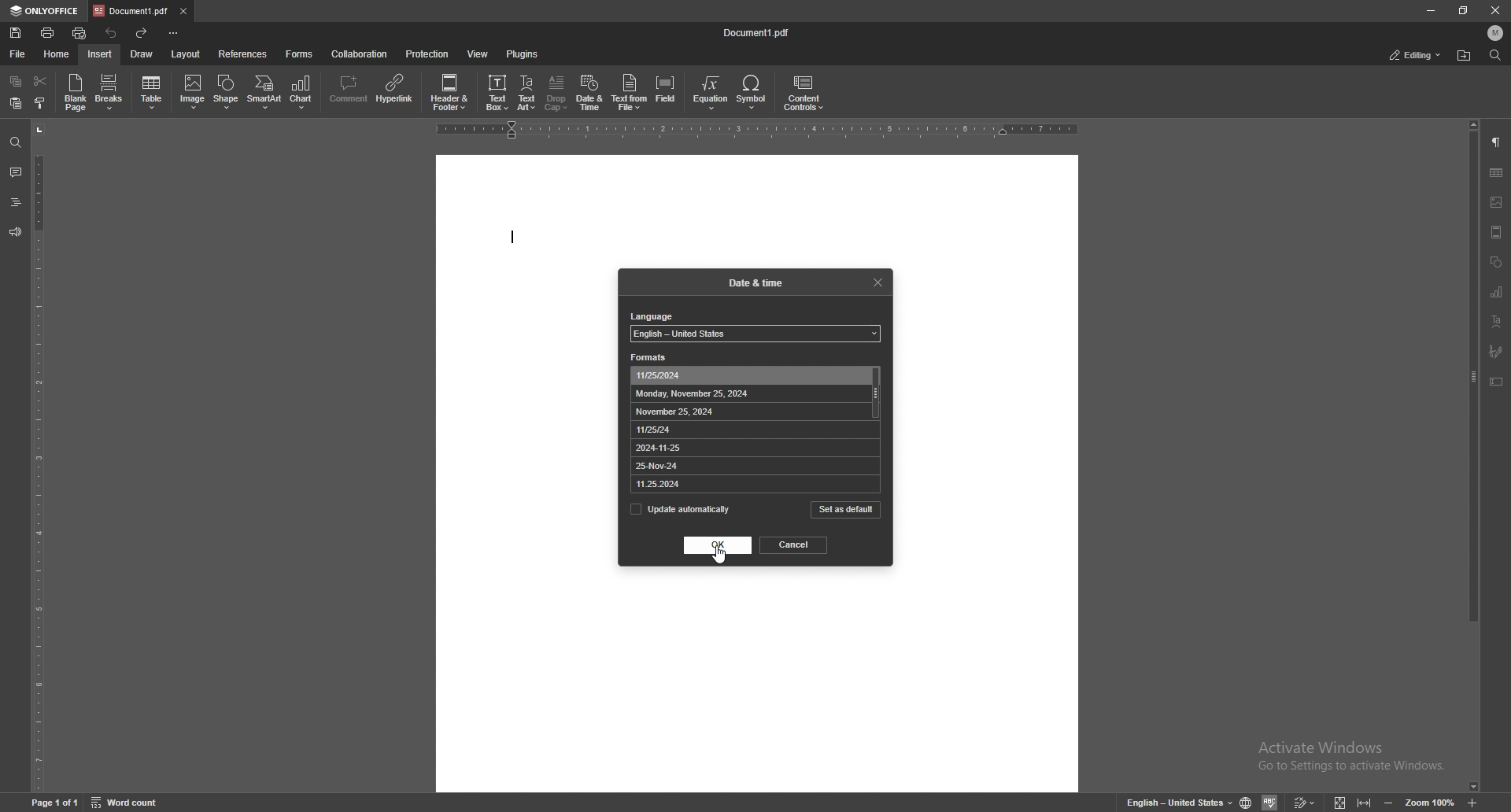 This screenshot has width=1511, height=812. I want to click on update automatically, so click(682, 509).